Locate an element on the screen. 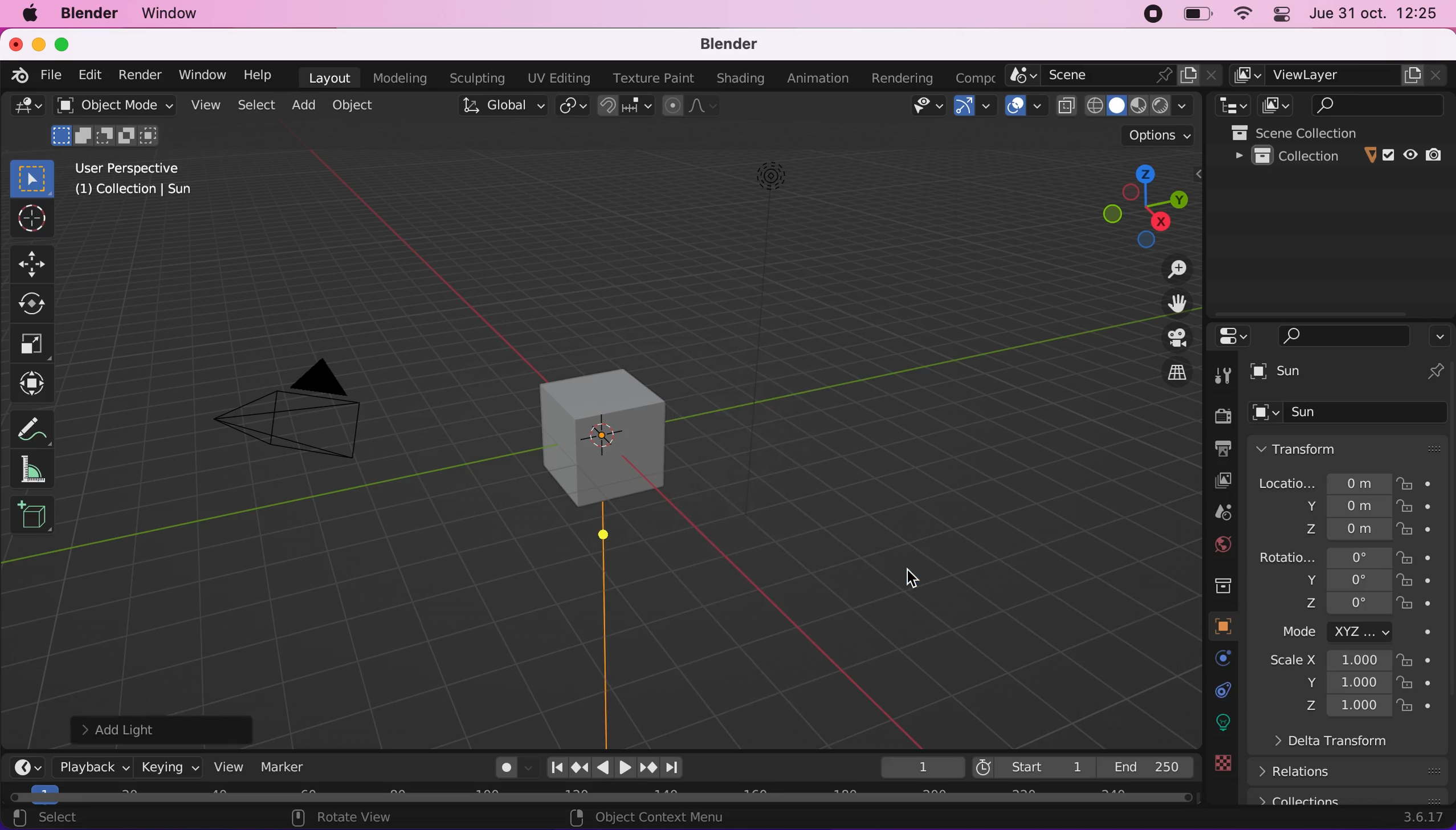 This screenshot has width=1456, height=830. transform pivot point is located at coordinates (570, 107).